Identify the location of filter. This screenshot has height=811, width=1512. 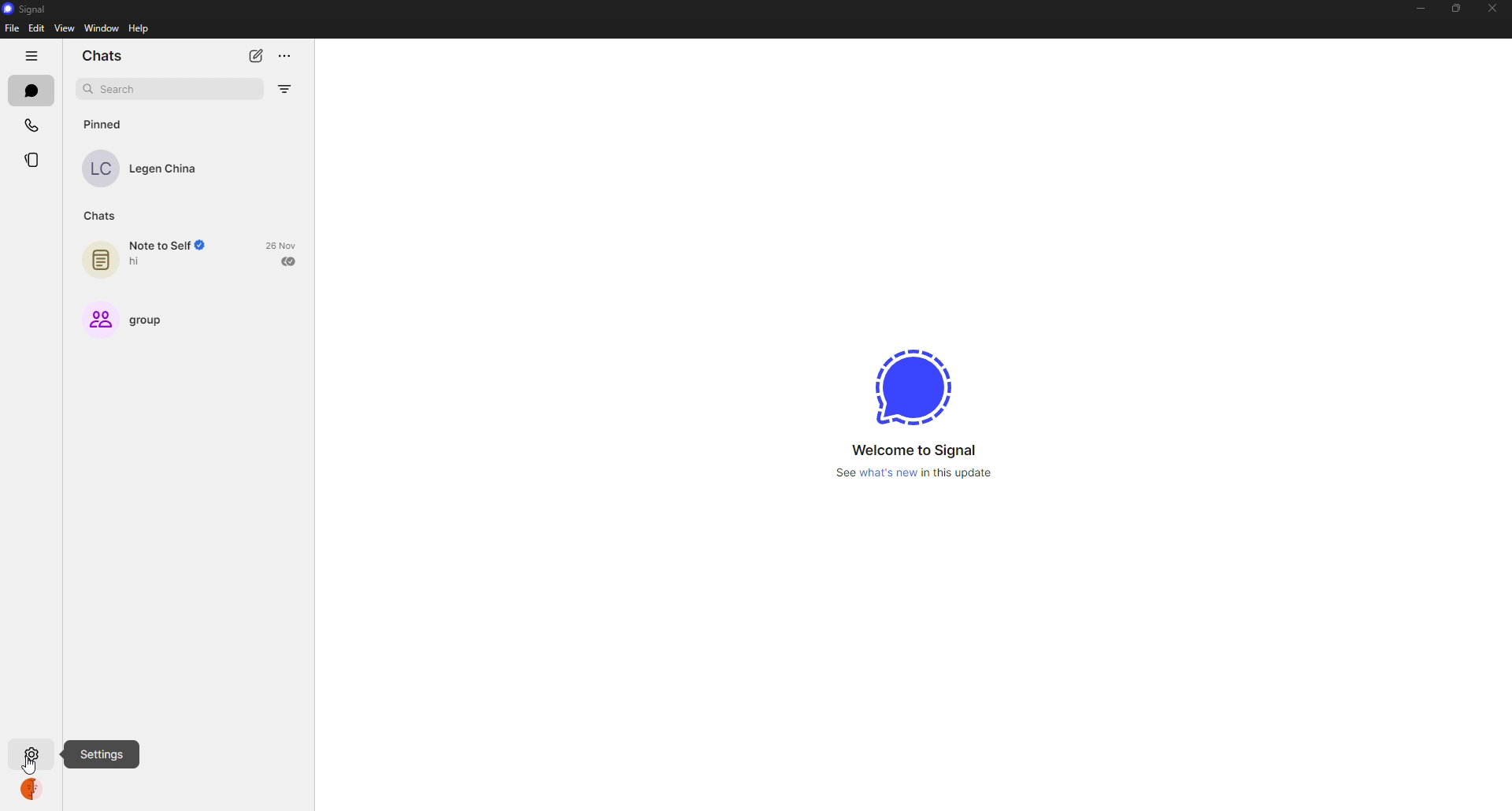
(286, 88).